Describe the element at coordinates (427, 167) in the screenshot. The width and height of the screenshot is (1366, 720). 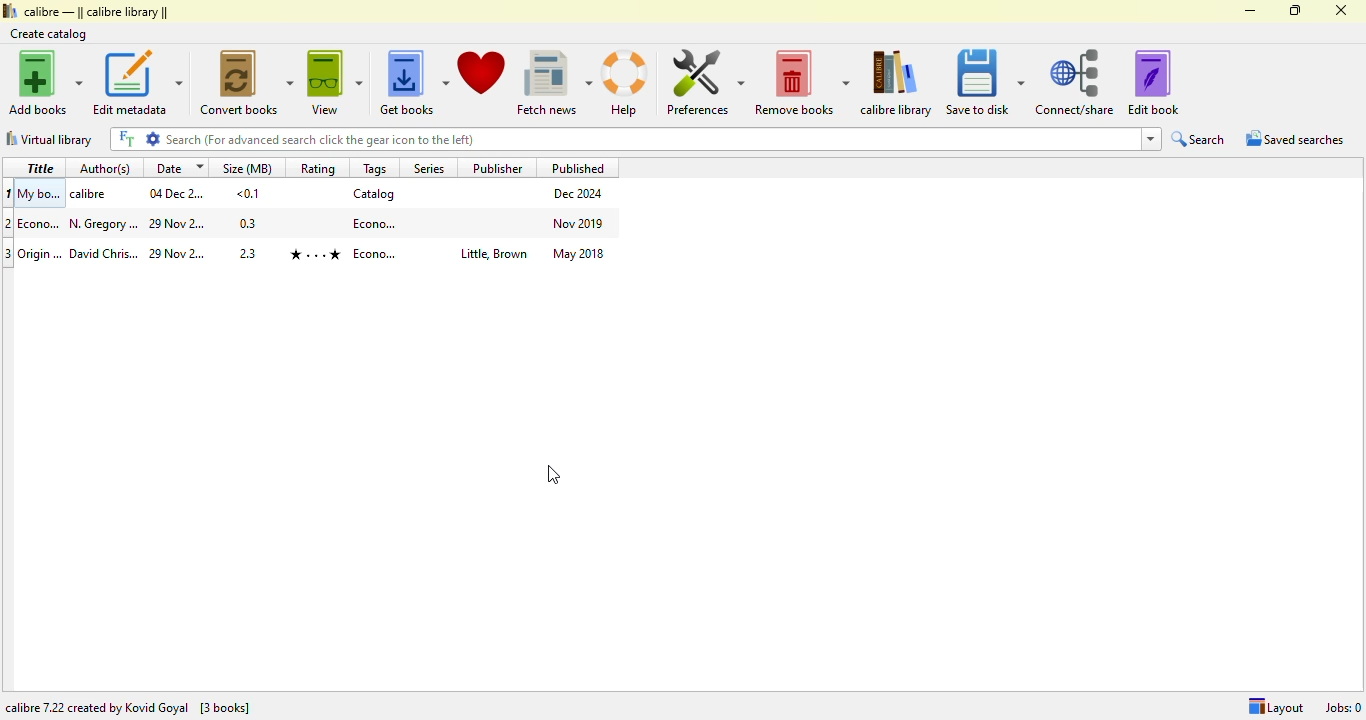
I see `series` at that location.